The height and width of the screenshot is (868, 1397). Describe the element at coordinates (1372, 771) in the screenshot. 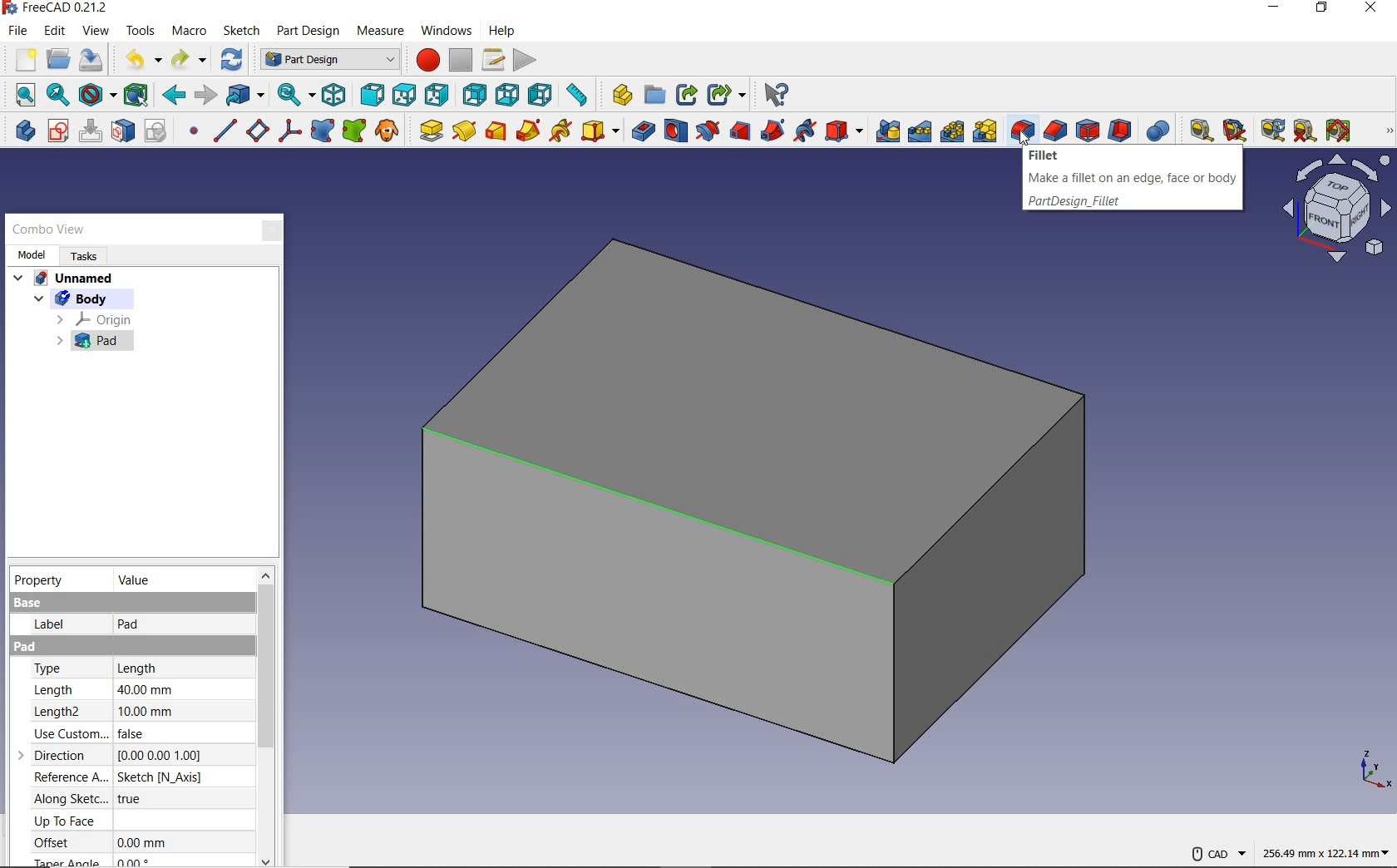

I see `xyz points` at that location.